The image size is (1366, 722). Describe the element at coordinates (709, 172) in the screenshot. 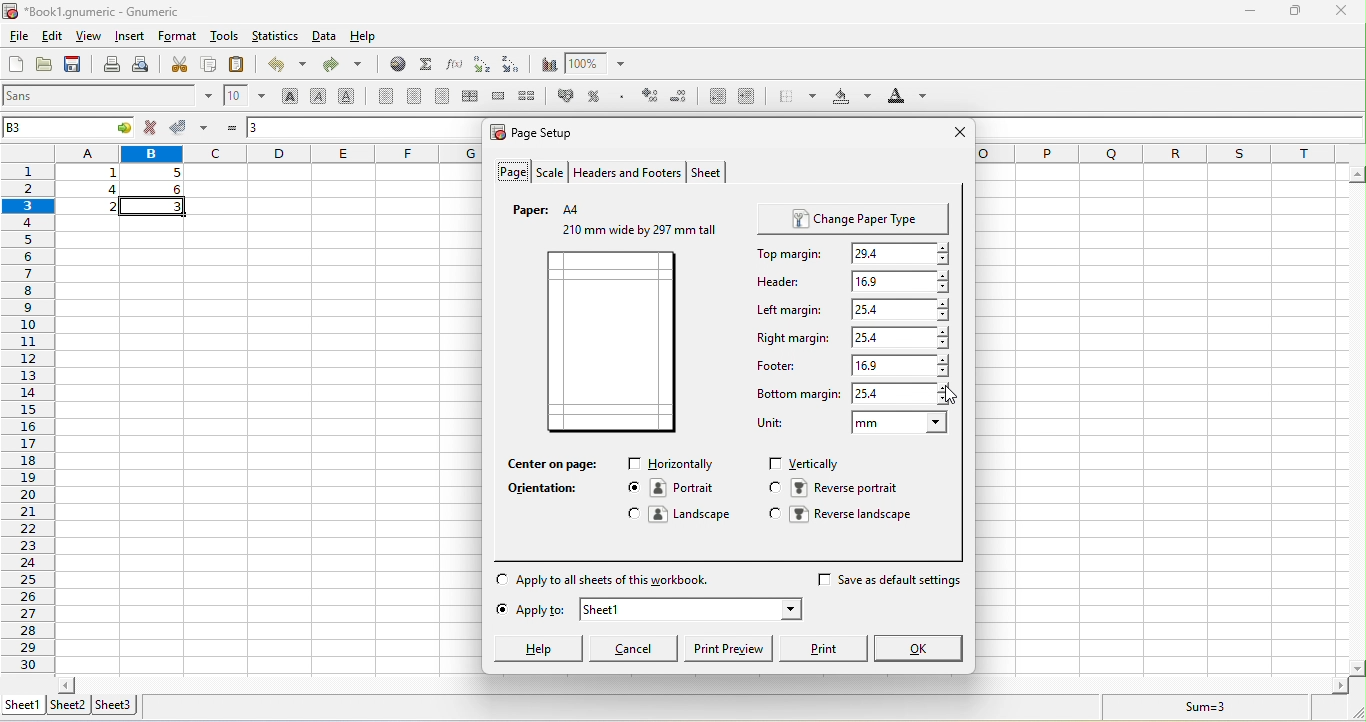

I see `sheet` at that location.